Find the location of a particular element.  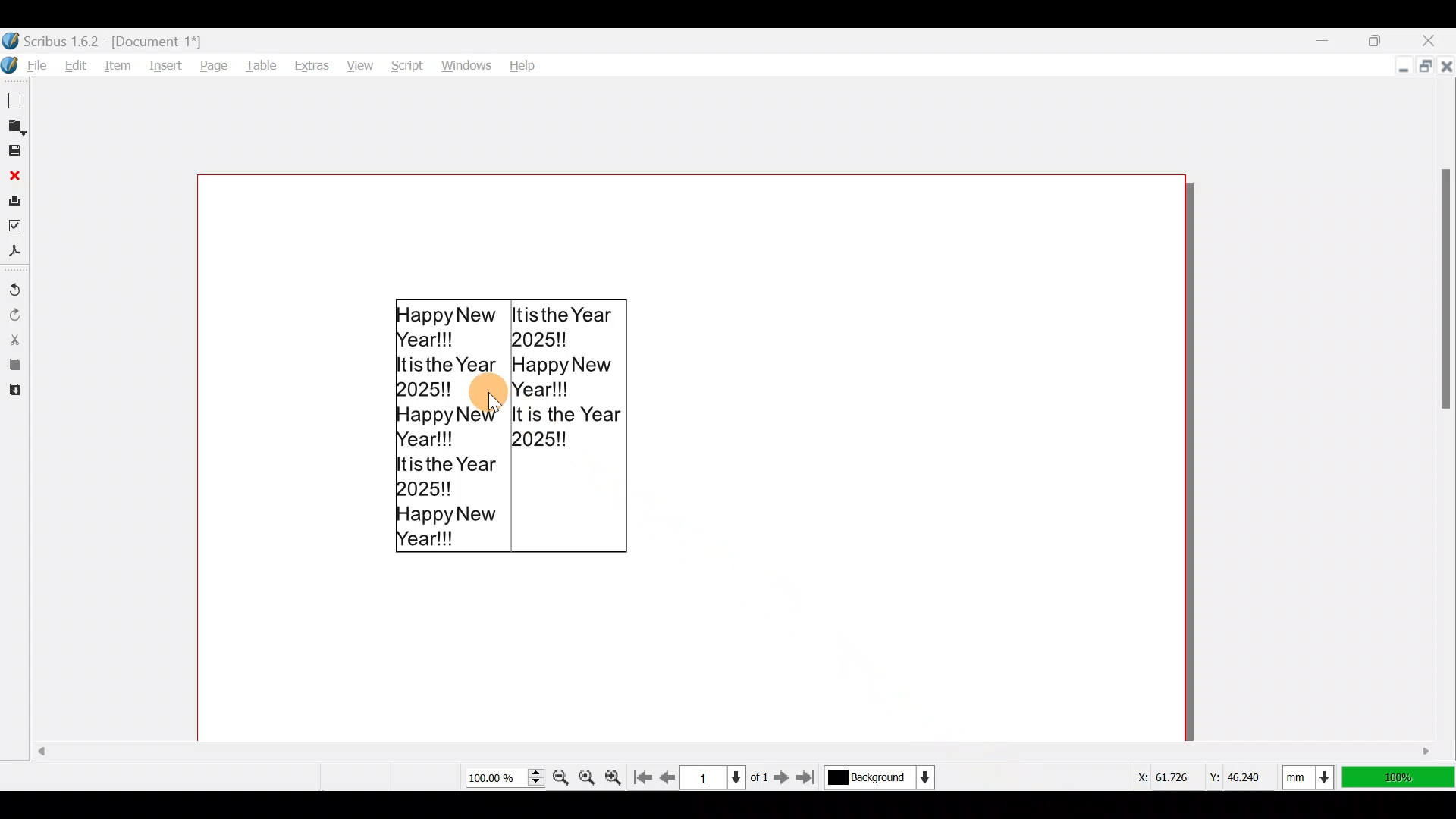

Paste is located at coordinates (14, 392).